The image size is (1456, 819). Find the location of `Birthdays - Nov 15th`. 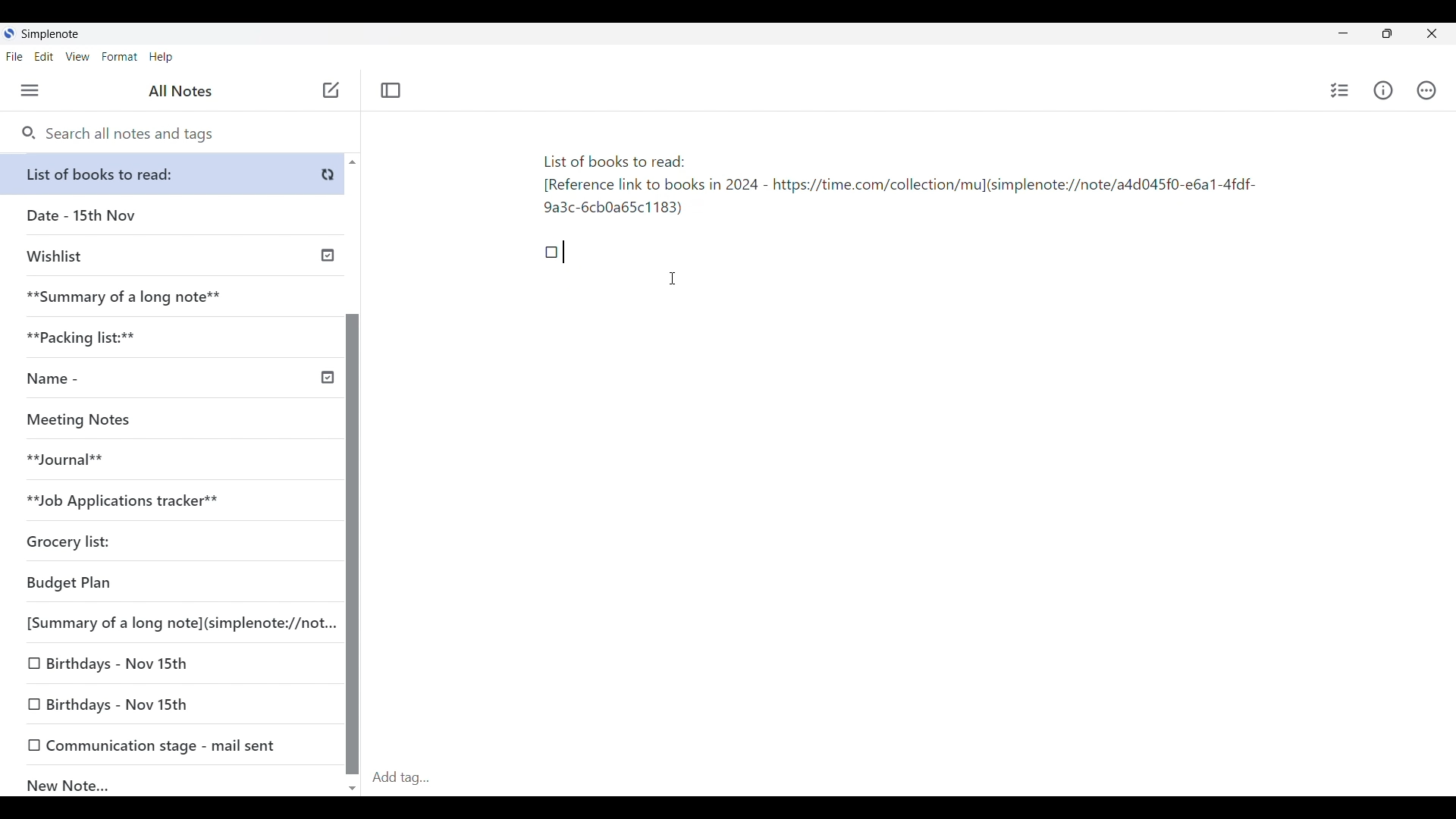

Birthdays - Nov 15th is located at coordinates (174, 705).